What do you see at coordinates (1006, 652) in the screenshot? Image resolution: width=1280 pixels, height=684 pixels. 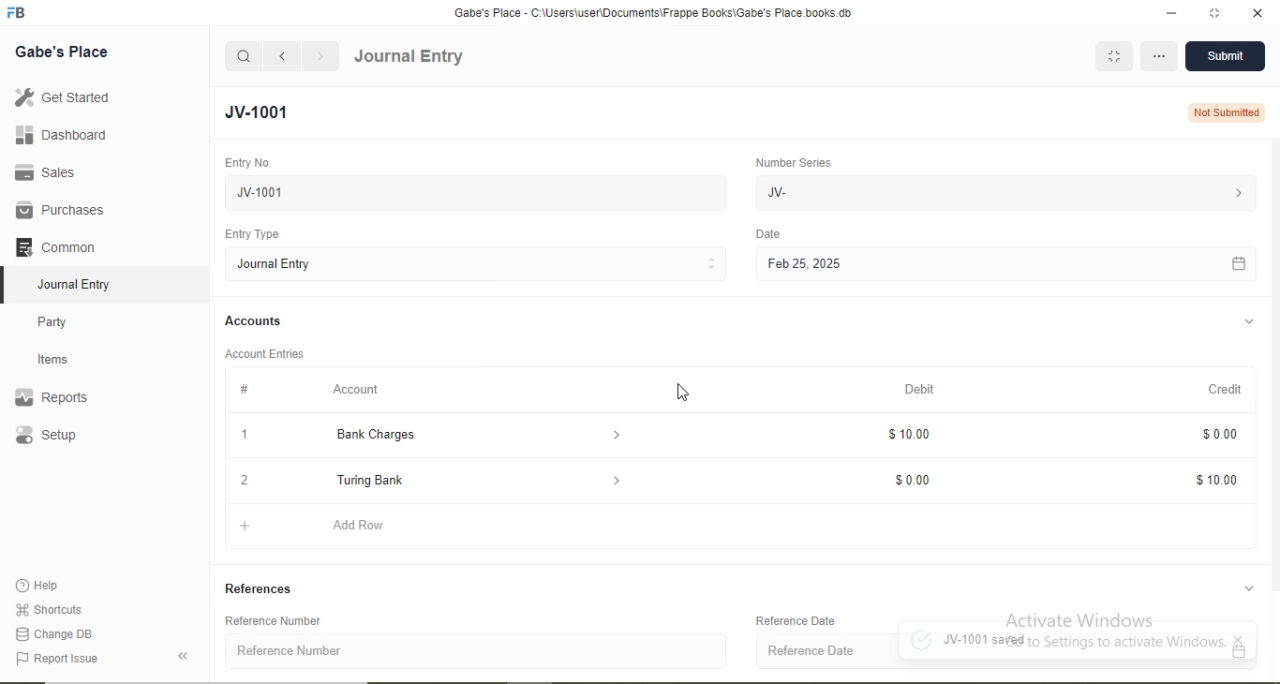 I see `Reference Date` at bounding box center [1006, 652].